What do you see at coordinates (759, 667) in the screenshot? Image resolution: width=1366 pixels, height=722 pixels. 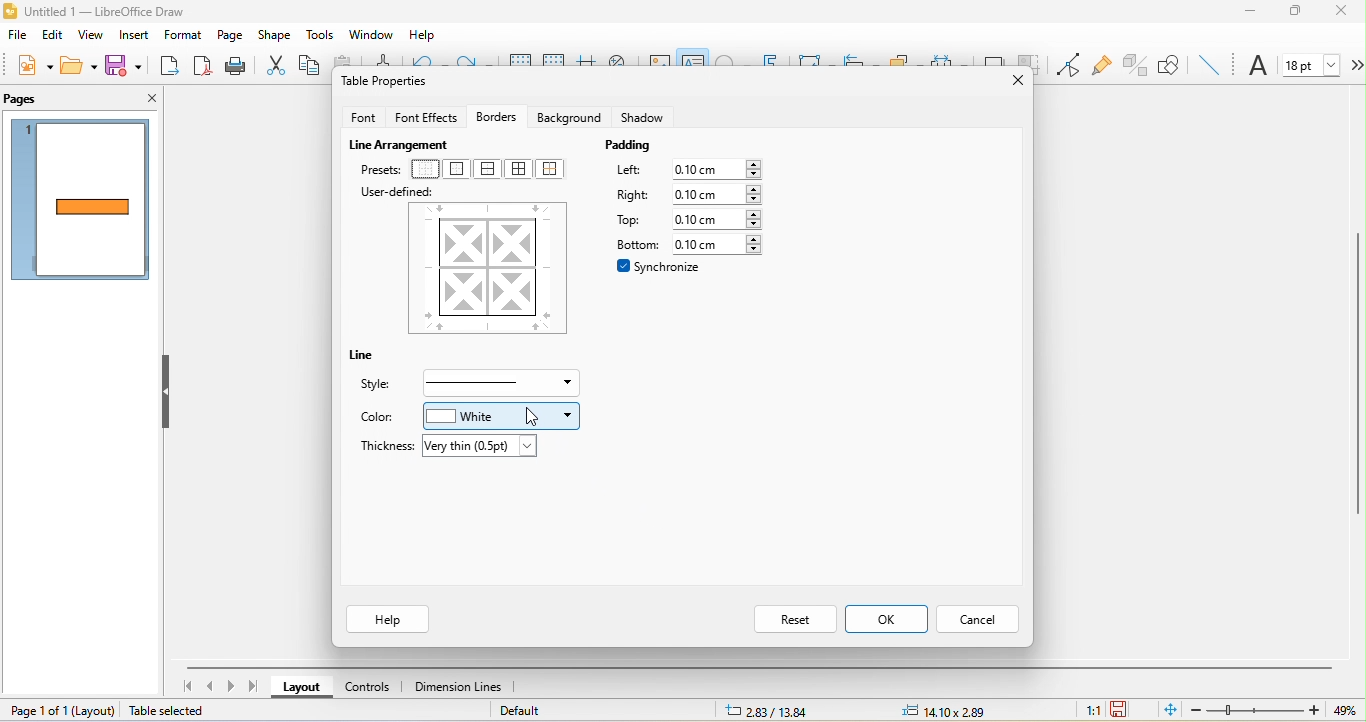 I see `horizontal scroll bar` at bounding box center [759, 667].